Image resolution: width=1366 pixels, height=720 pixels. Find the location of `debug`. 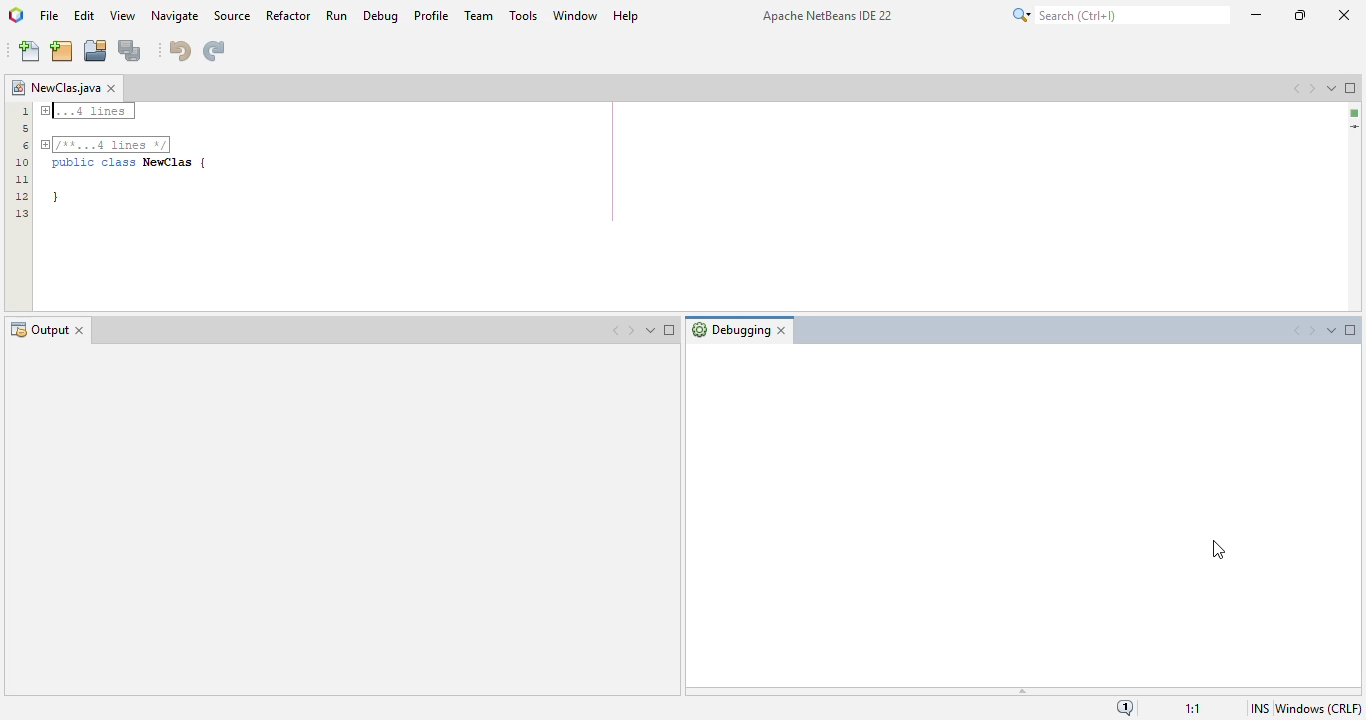

debug is located at coordinates (381, 15).